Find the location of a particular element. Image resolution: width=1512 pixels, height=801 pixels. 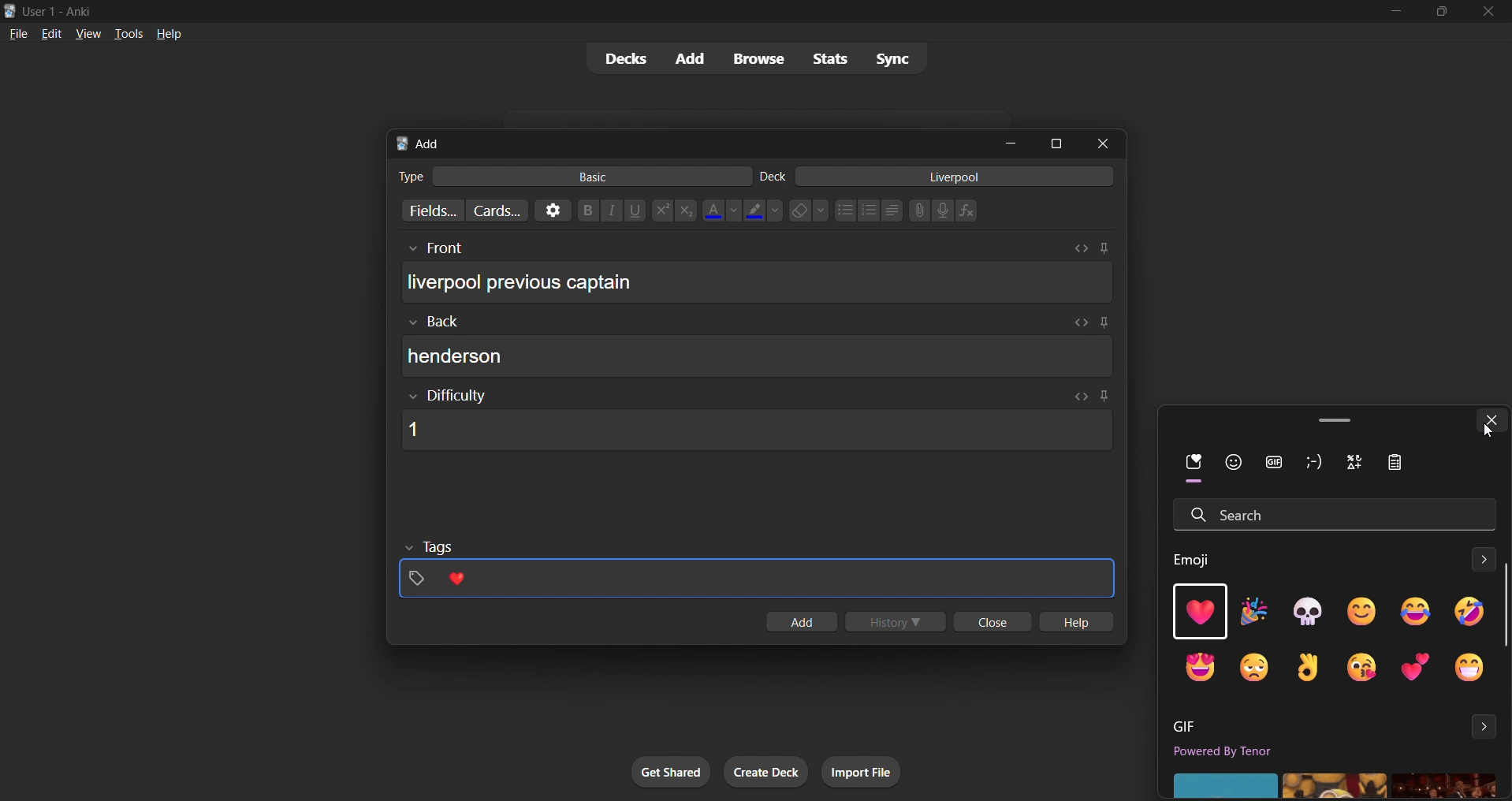

emoji is located at coordinates (1197, 668).